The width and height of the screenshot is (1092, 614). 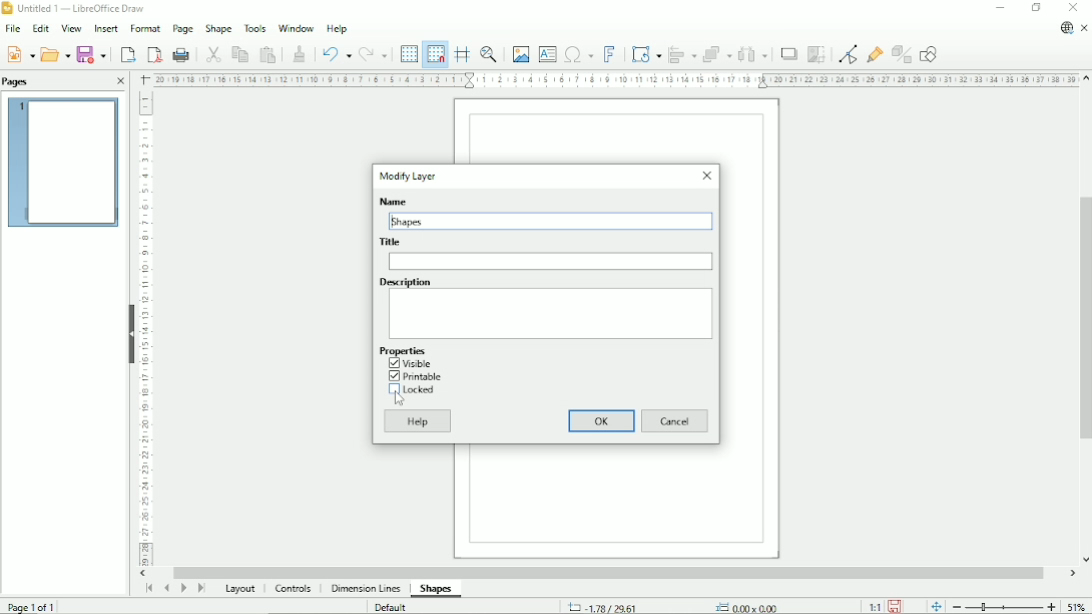 What do you see at coordinates (182, 29) in the screenshot?
I see `Page` at bounding box center [182, 29].